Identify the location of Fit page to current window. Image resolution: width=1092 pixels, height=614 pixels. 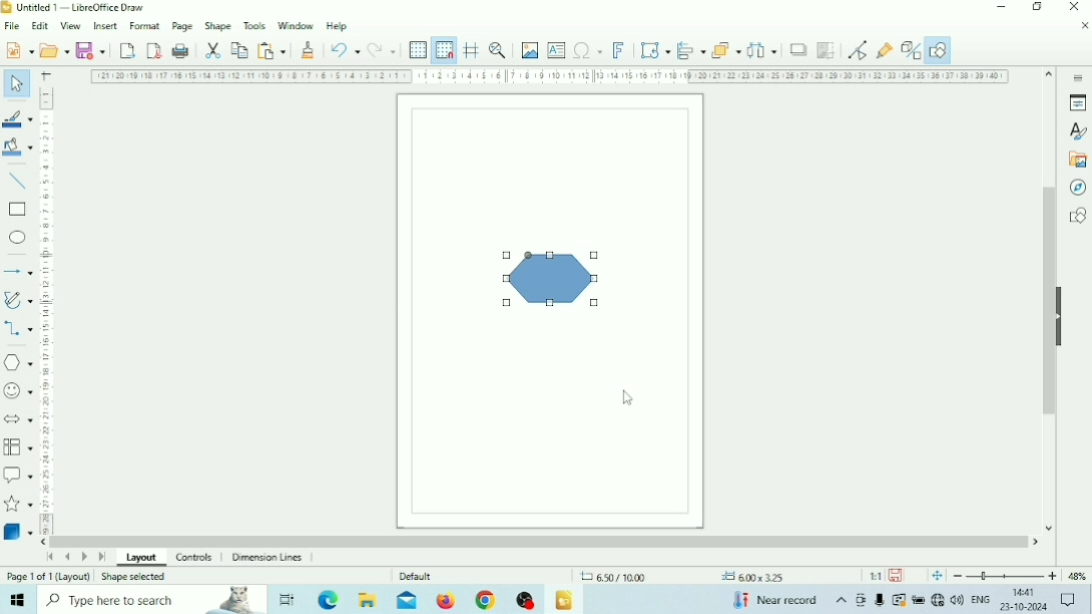
(937, 576).